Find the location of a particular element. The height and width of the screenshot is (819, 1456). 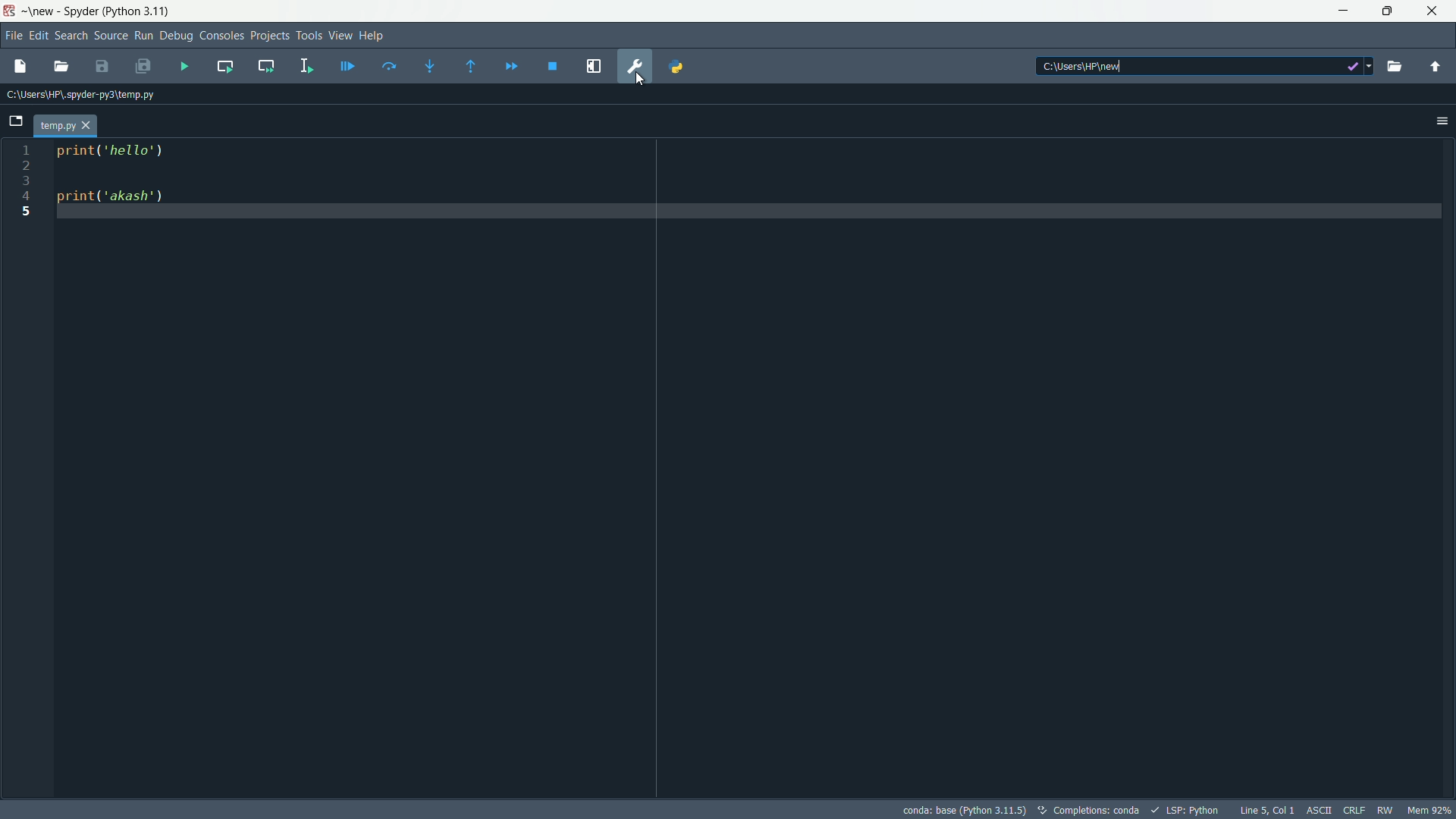

debug file is located at coordinates (348, 67).